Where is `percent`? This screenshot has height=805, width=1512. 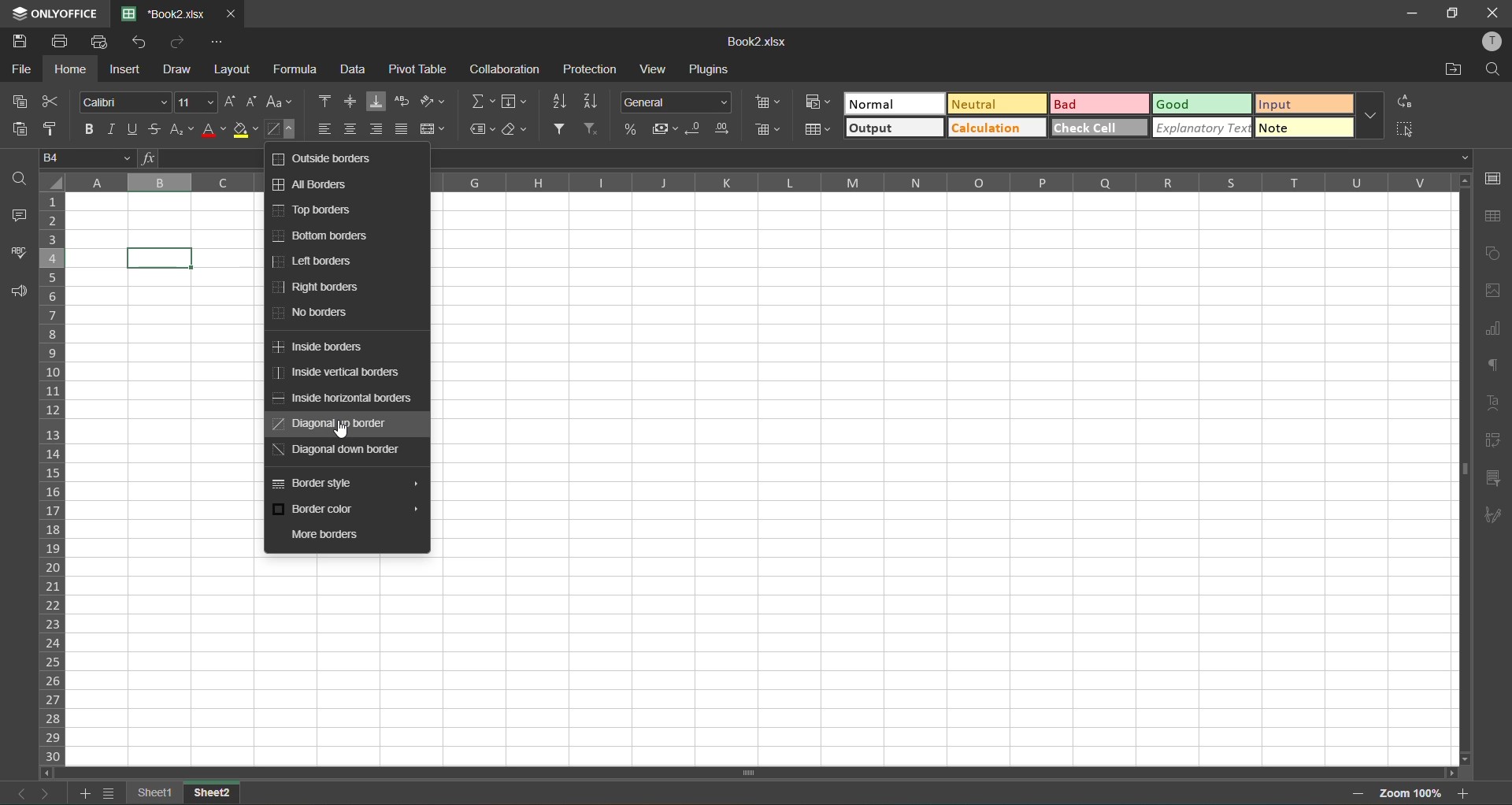 percent is located at coordinates (629, 131).